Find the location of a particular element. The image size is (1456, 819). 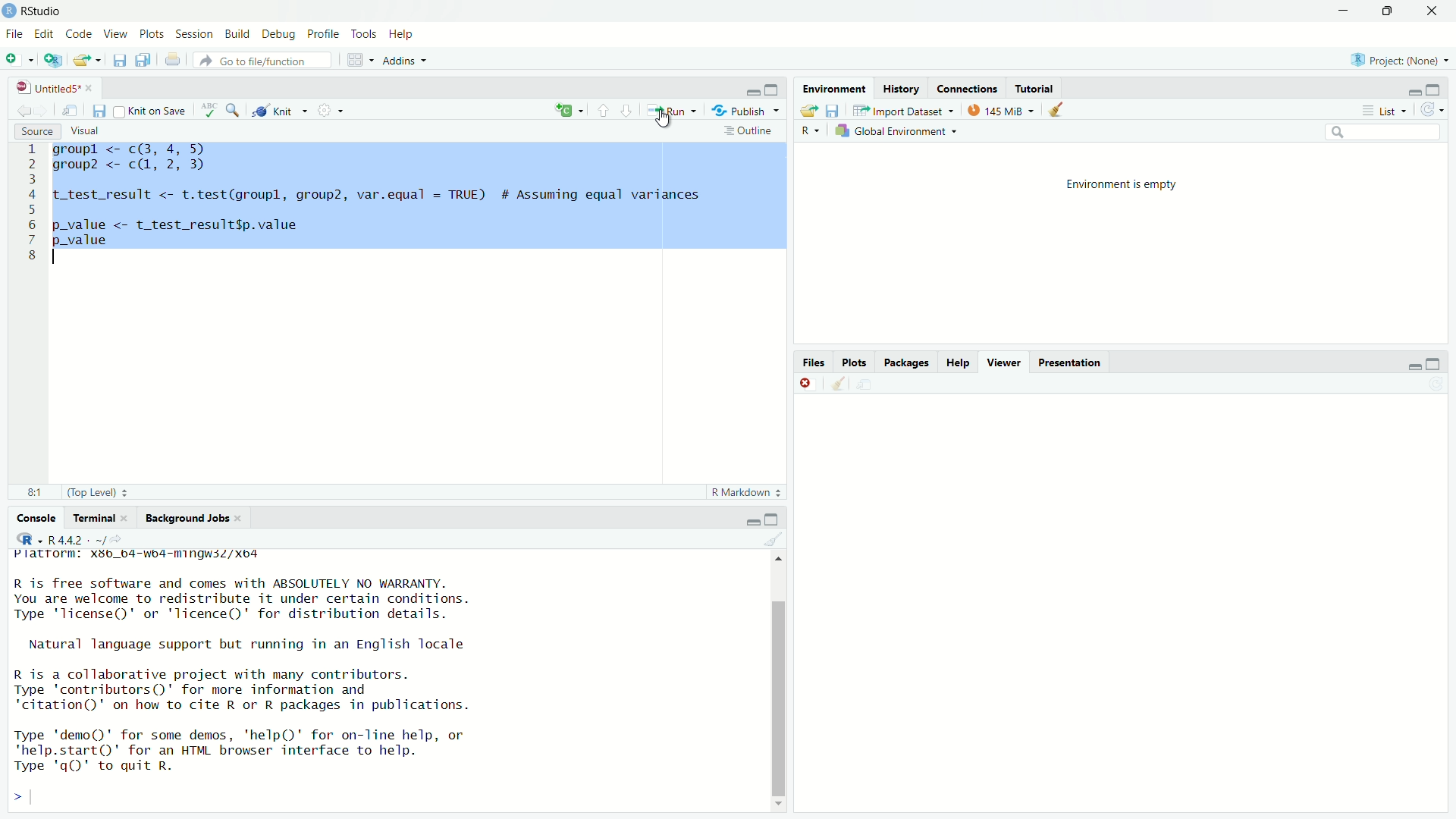

go to next section is located at coordinates (627, 108).